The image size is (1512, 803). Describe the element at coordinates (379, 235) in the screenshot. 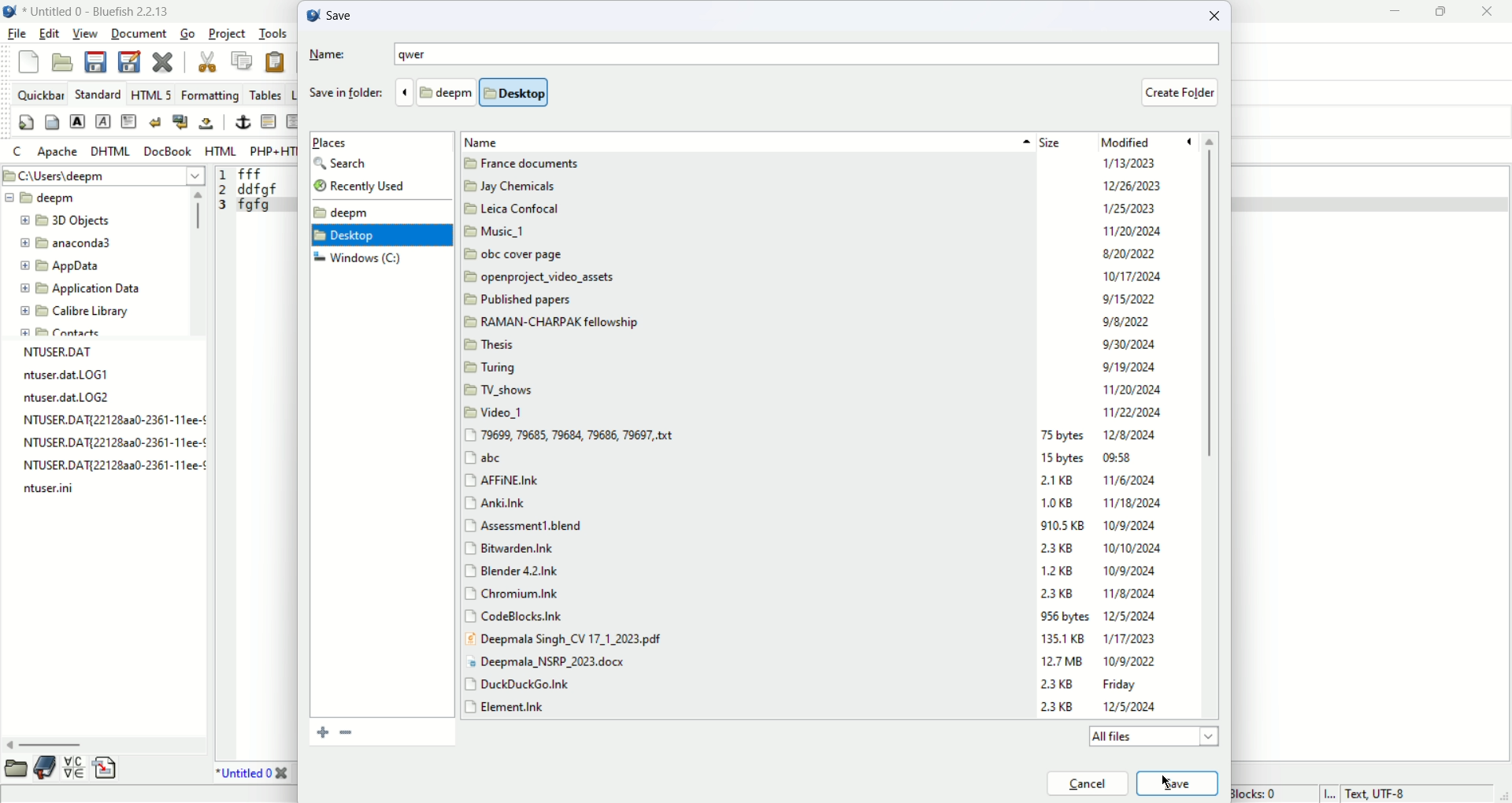

I see `desktop` at that location.